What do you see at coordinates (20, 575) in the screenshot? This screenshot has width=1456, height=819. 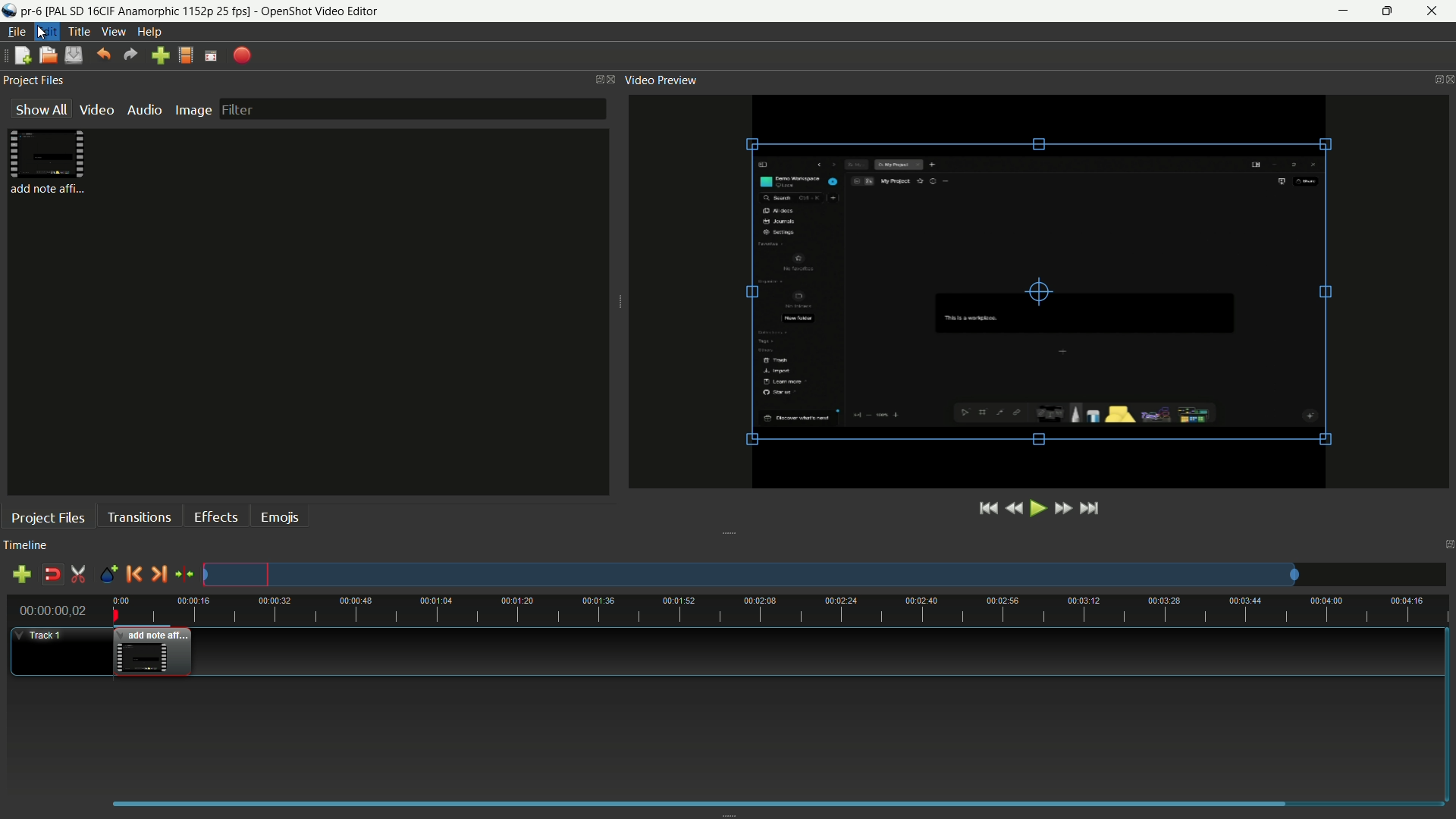 I see `add track` at bounding box center [20, 575].